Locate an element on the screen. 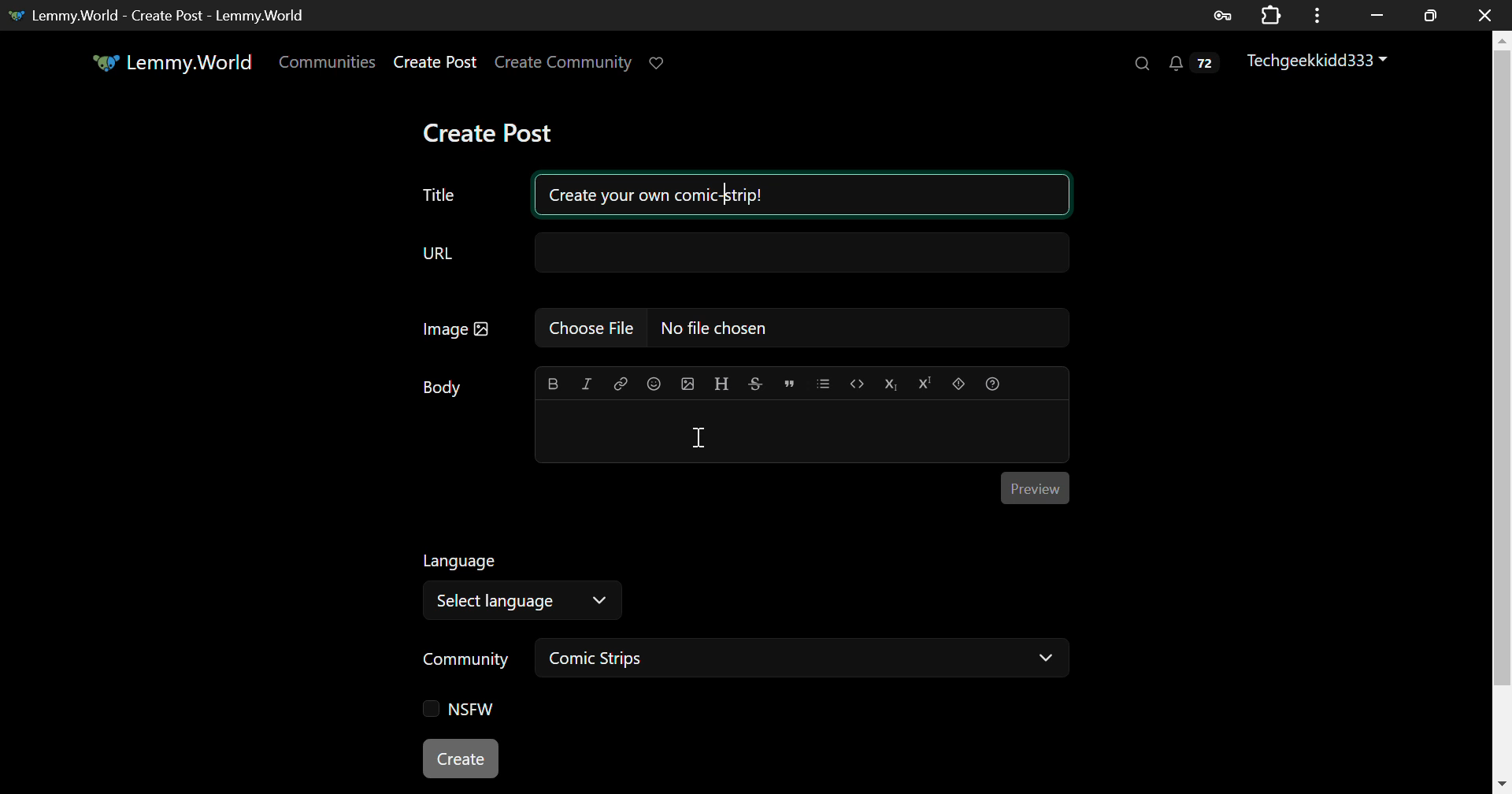 This screenshot has height=794, width=1512. Extensions is located at coordinates (1274, 14).